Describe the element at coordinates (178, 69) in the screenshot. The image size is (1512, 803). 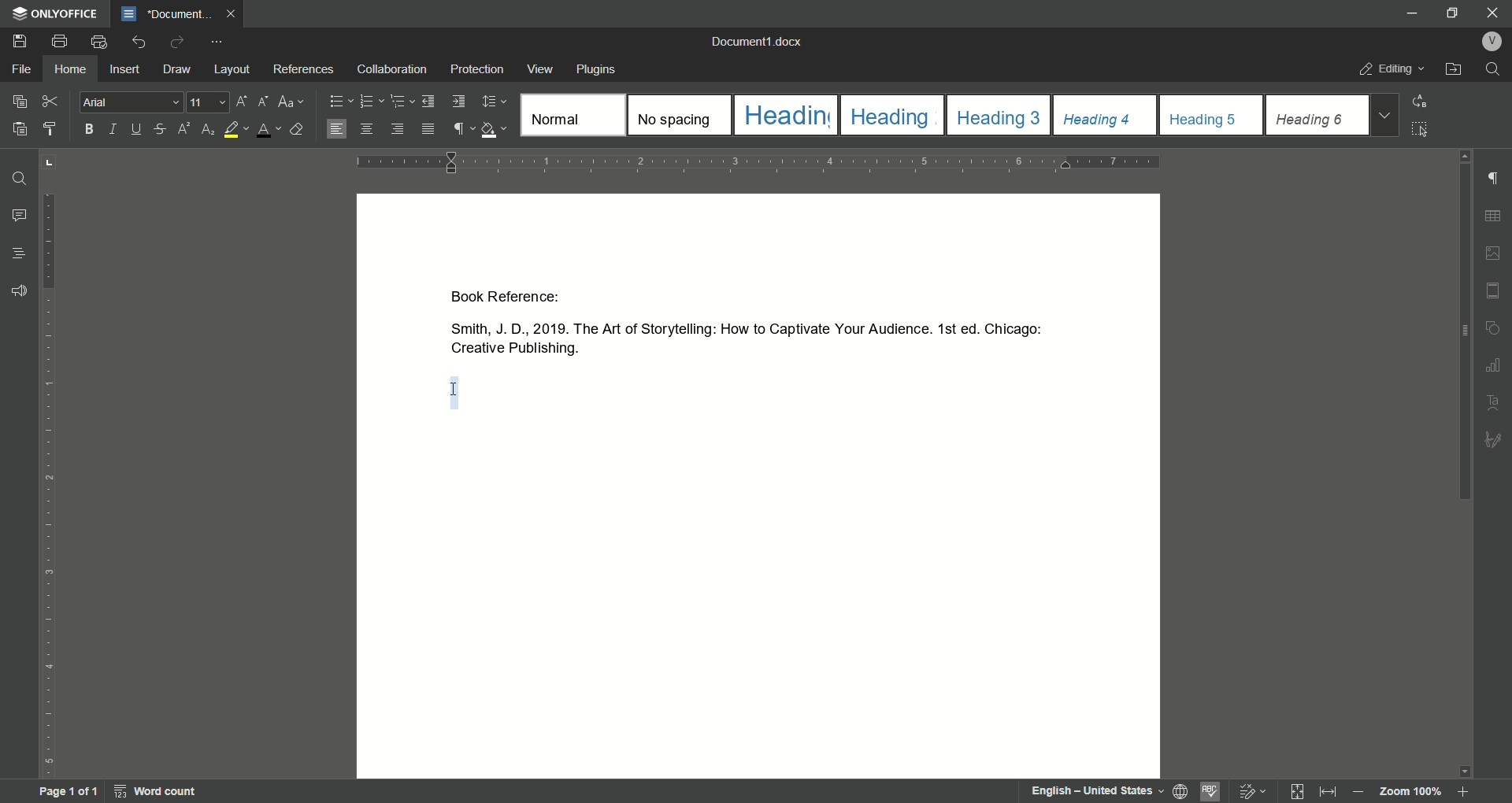
I see `draw` at that location.